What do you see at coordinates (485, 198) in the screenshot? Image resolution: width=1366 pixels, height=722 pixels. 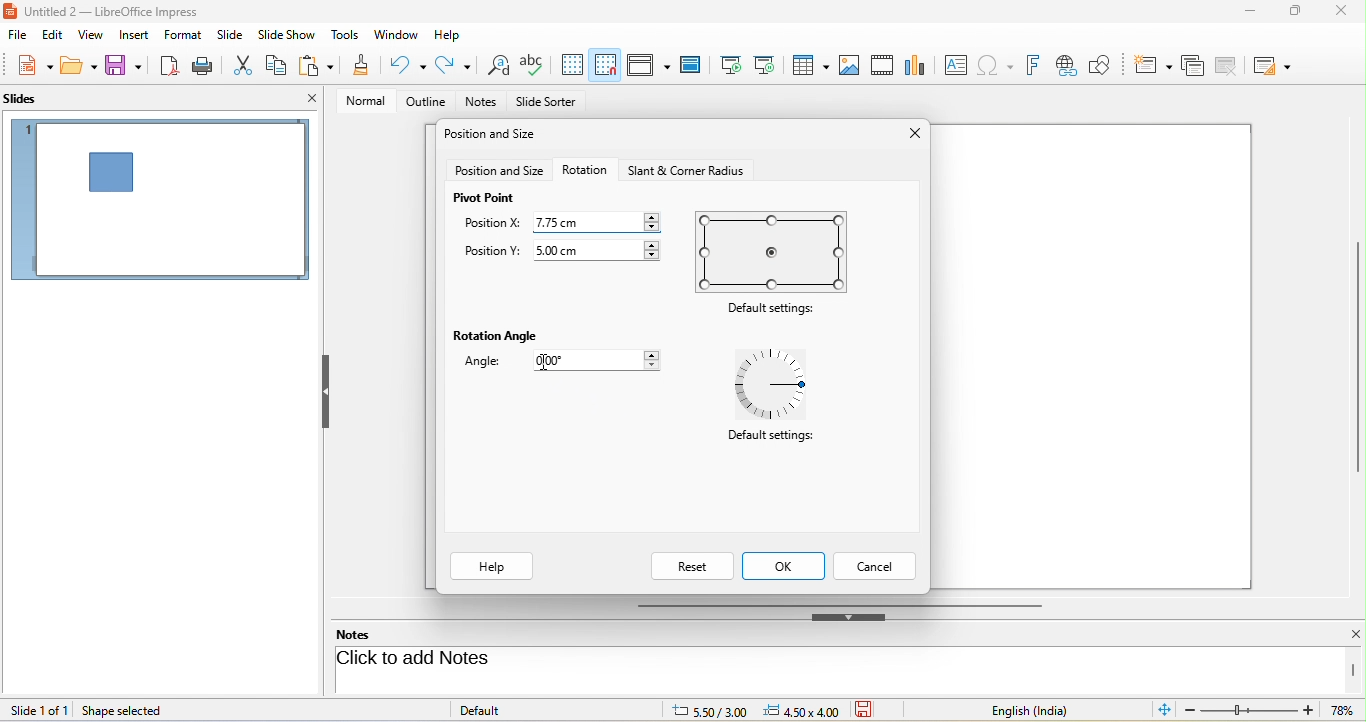 I see `pivot point` at bounding box center [485, 198].